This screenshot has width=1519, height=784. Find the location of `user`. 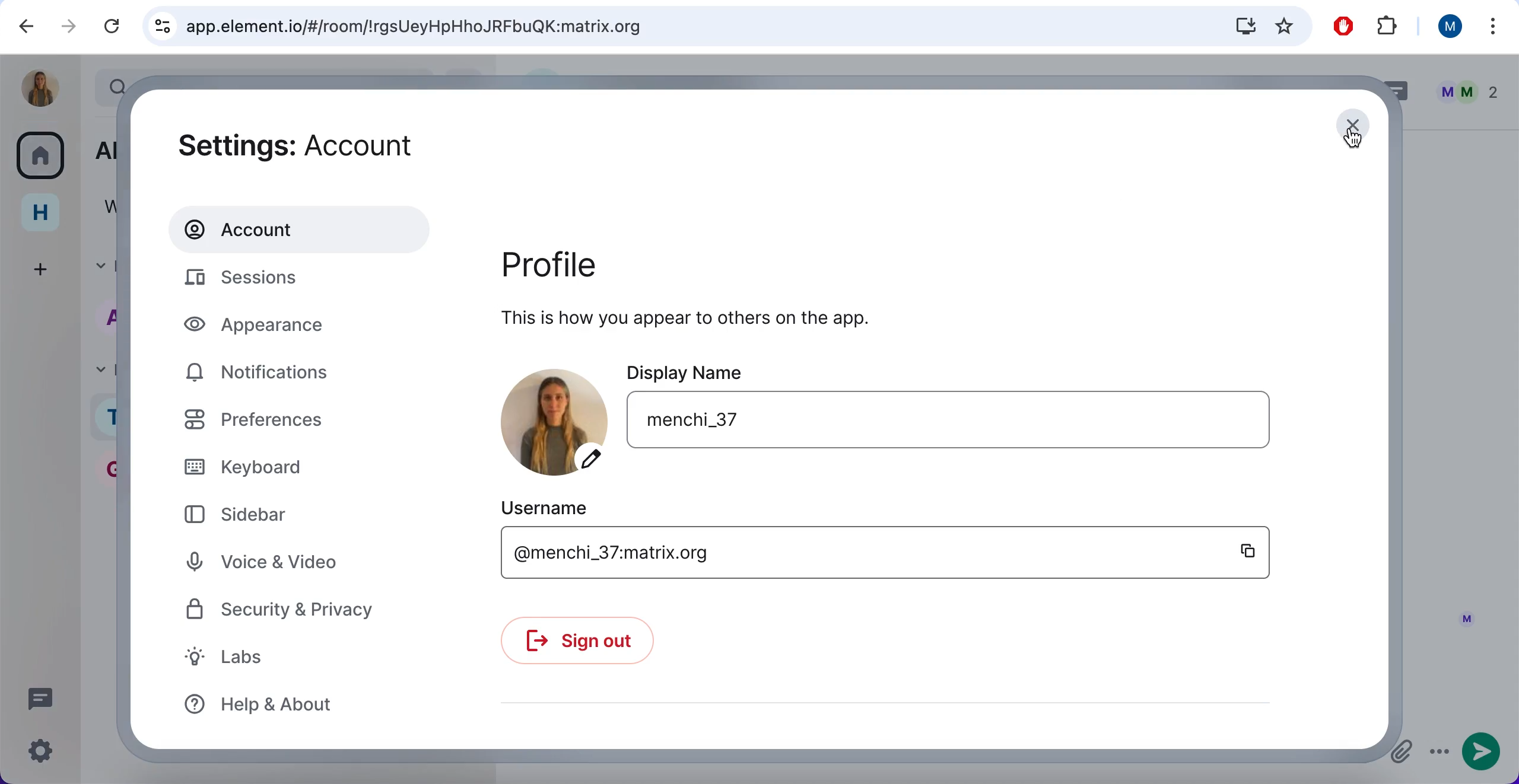

user is located at coordinates (1446, 29).